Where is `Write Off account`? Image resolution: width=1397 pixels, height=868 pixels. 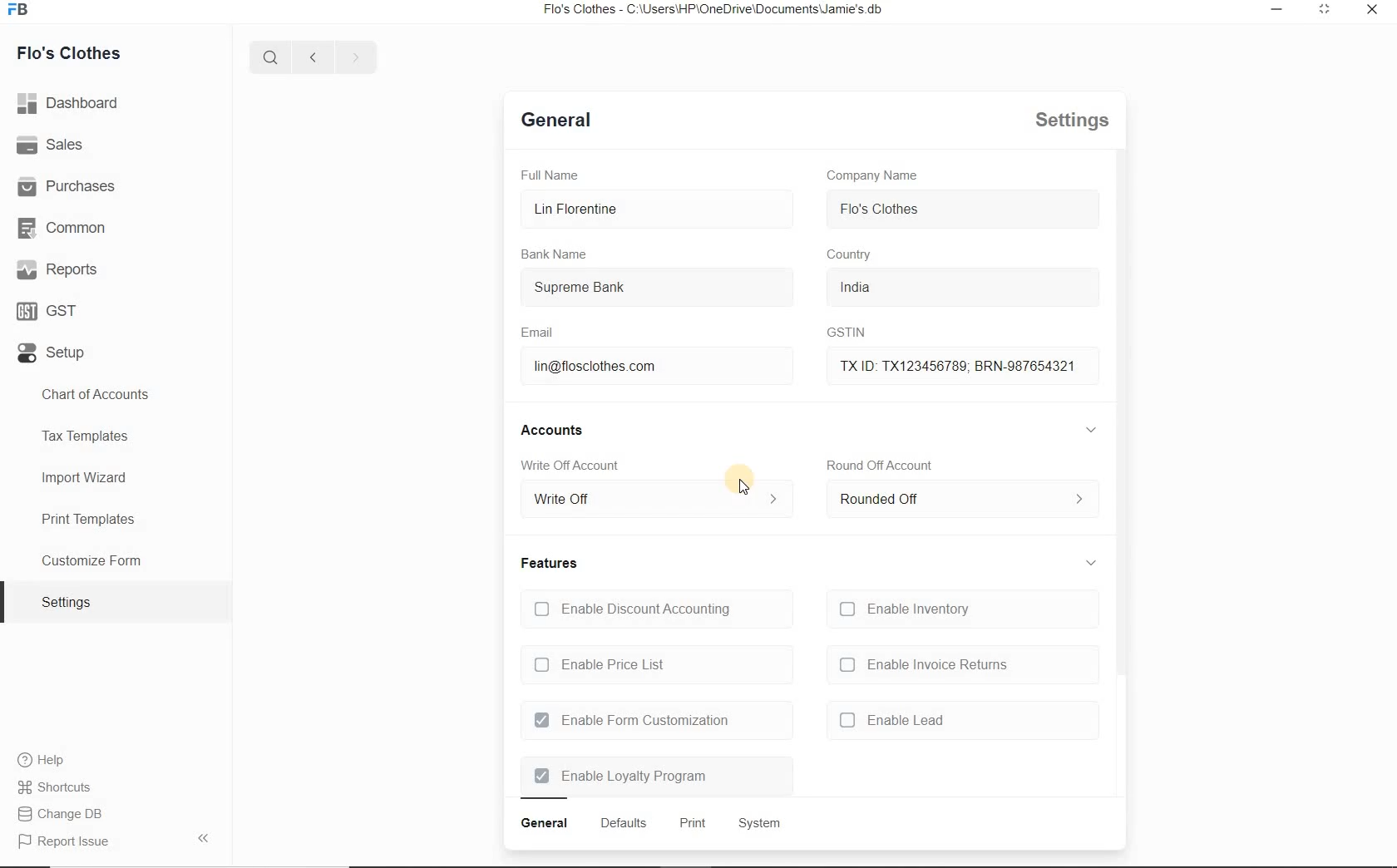 Write Off account is located at coordinates (575, 467).